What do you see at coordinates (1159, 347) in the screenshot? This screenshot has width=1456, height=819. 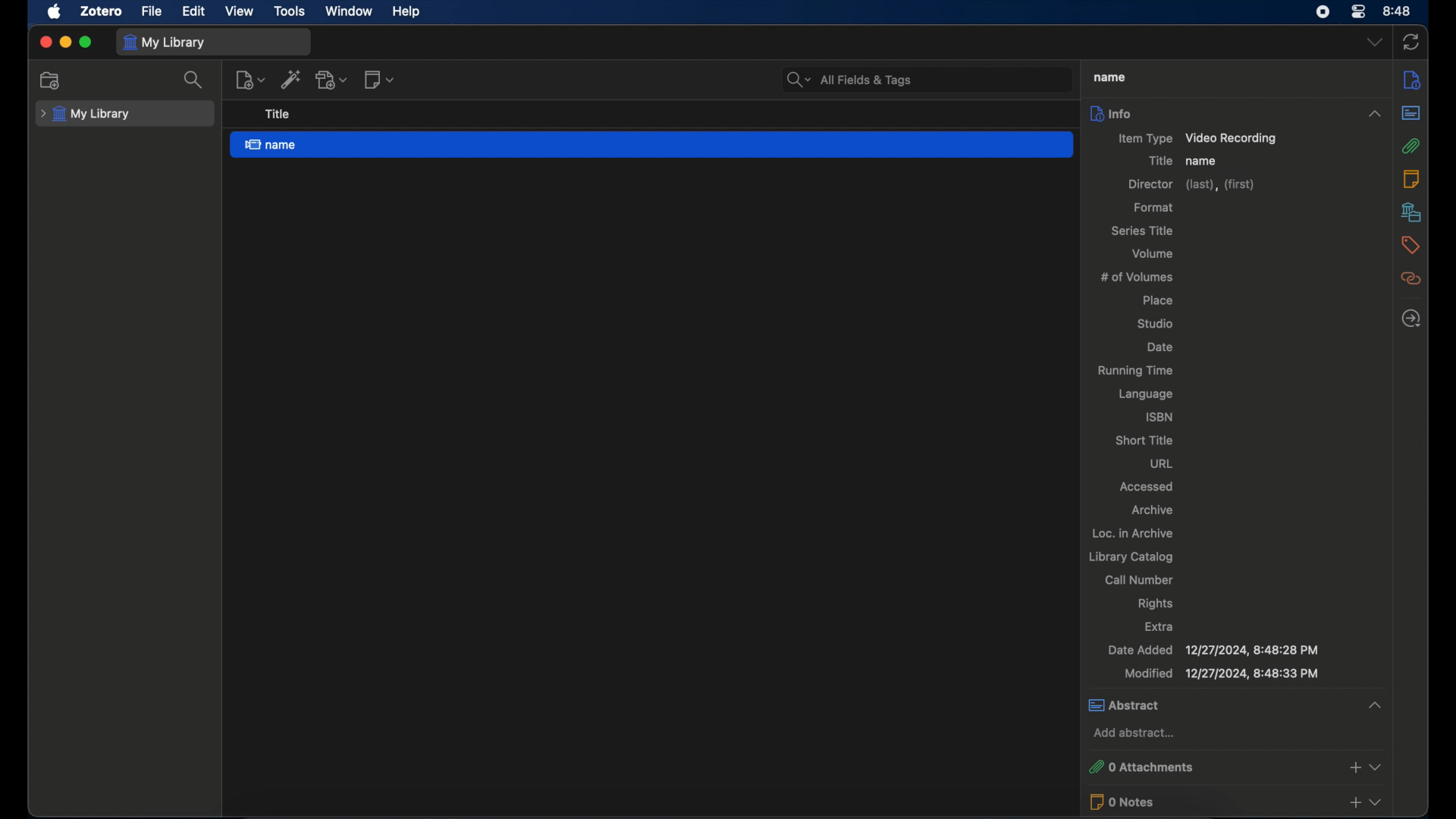 I see `date` at bounding box center [1159, 347].